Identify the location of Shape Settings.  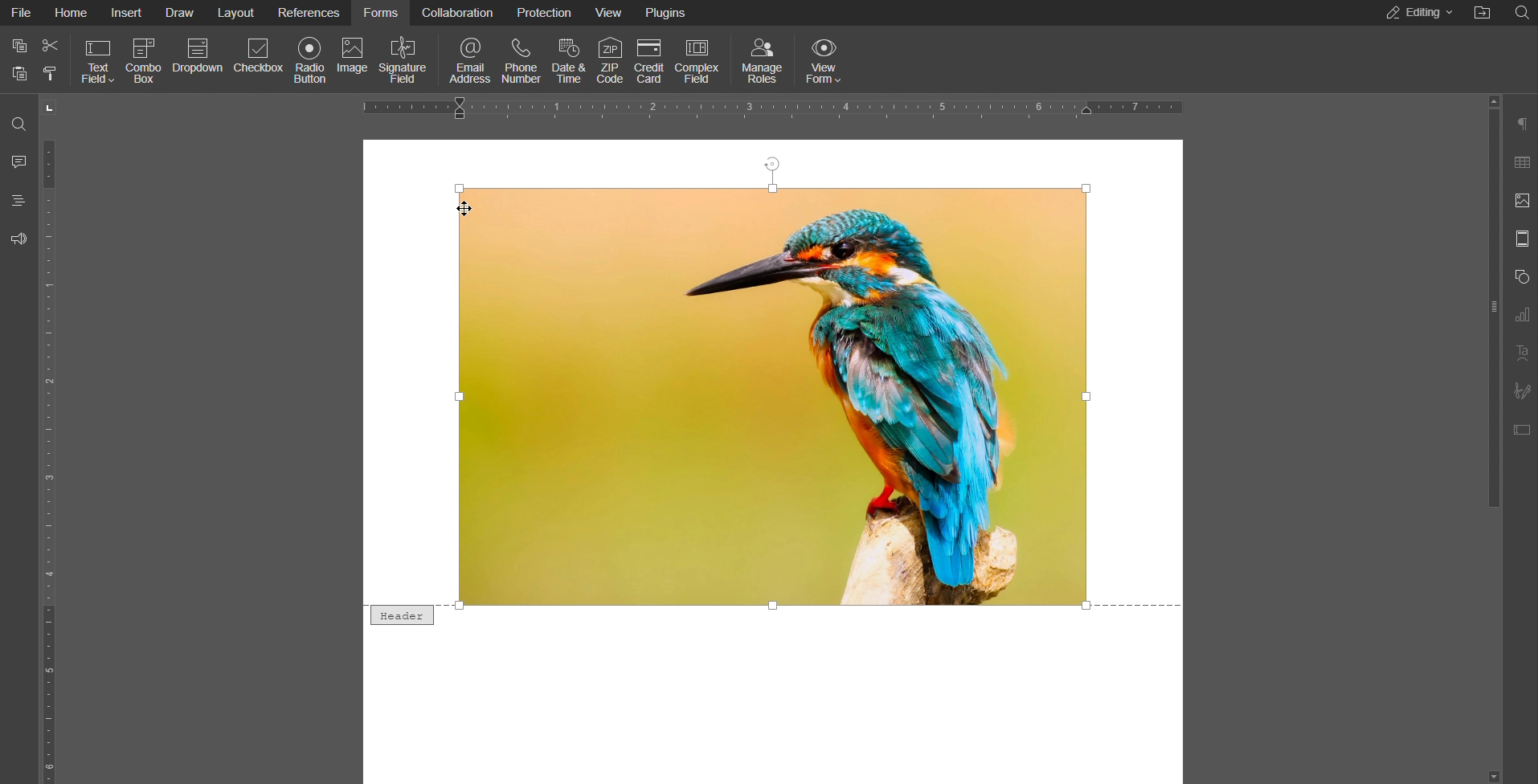
(1520, 276).